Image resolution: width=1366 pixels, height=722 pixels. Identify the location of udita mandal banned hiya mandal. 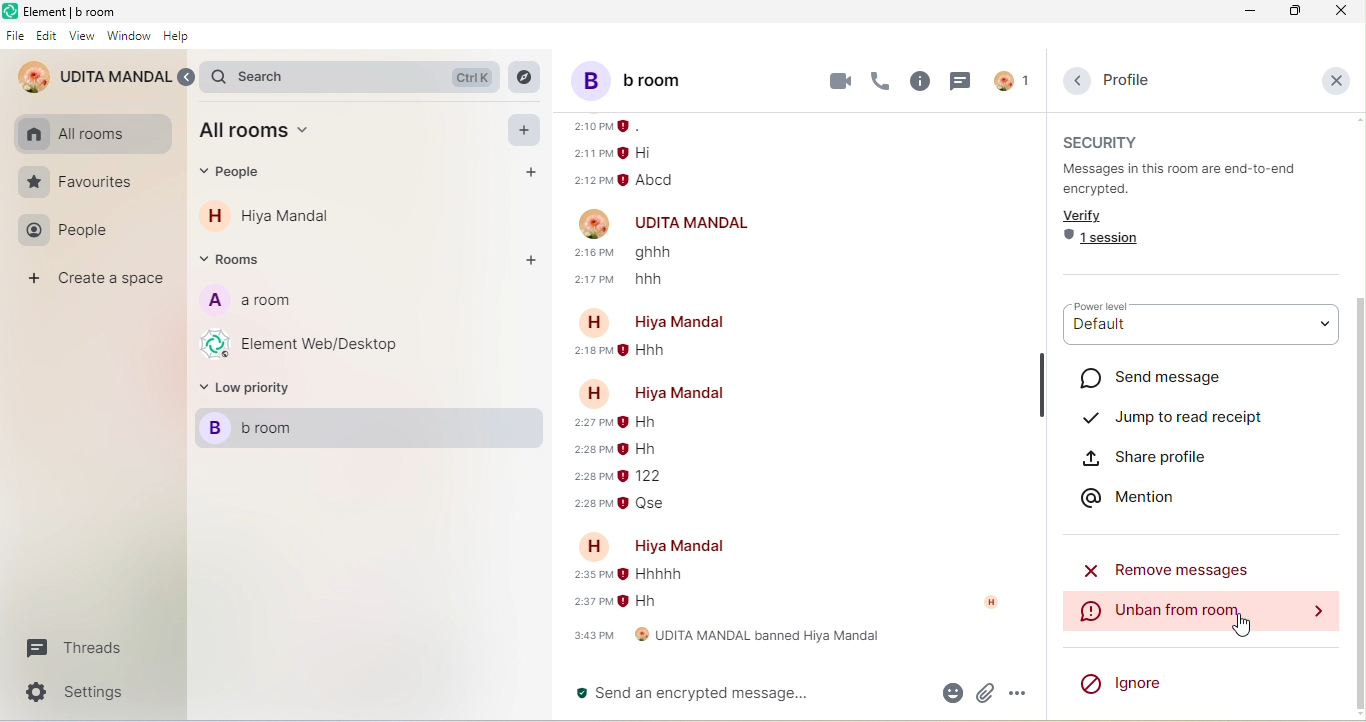
(725, 639).